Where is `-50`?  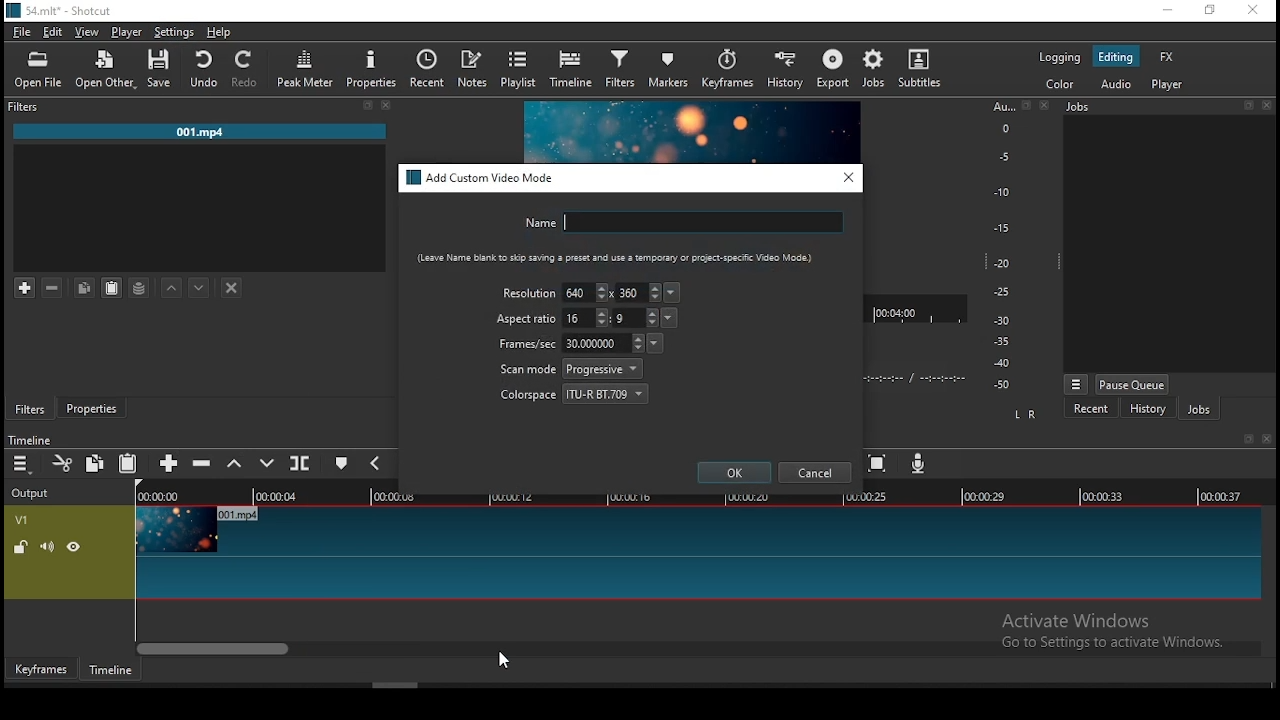
-50 is located at coordinates (1002, 385).